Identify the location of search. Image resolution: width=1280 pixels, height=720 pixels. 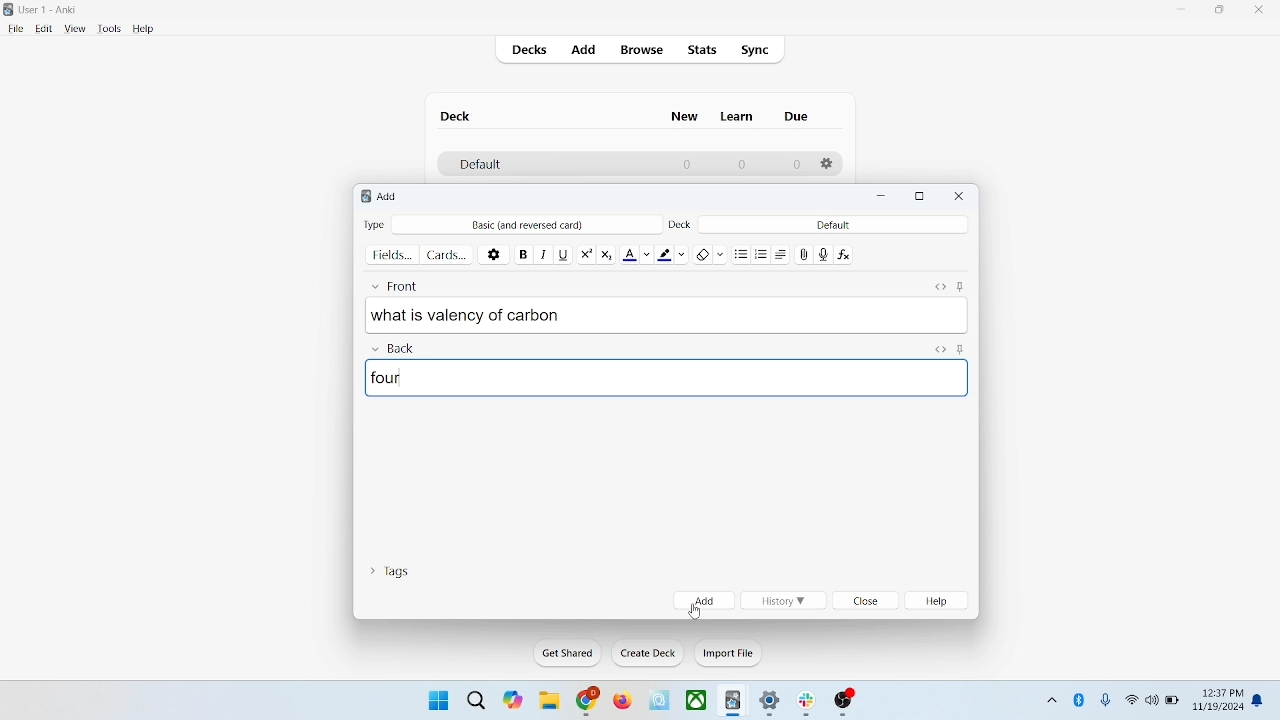
(477, 699).